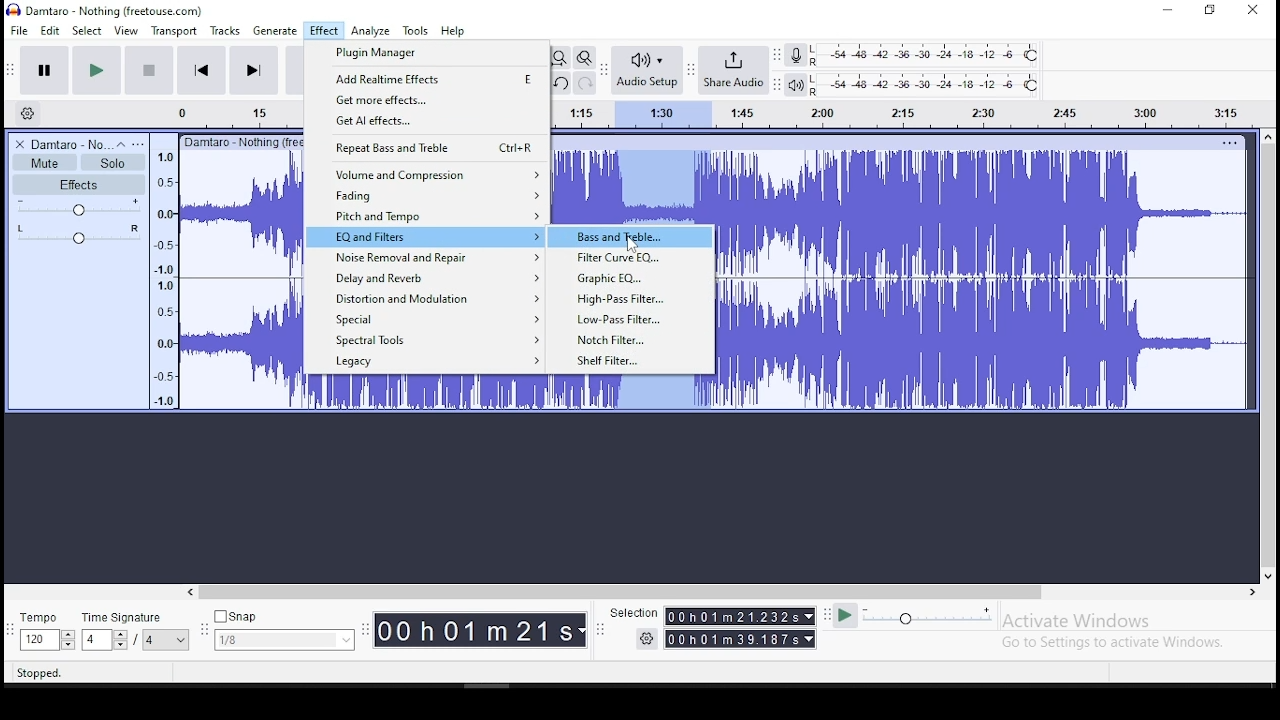 This screenshot has width=1280, height=720. Describe the element at coordinates (811, 639) in the screenshot. I see `drop down` at that location.